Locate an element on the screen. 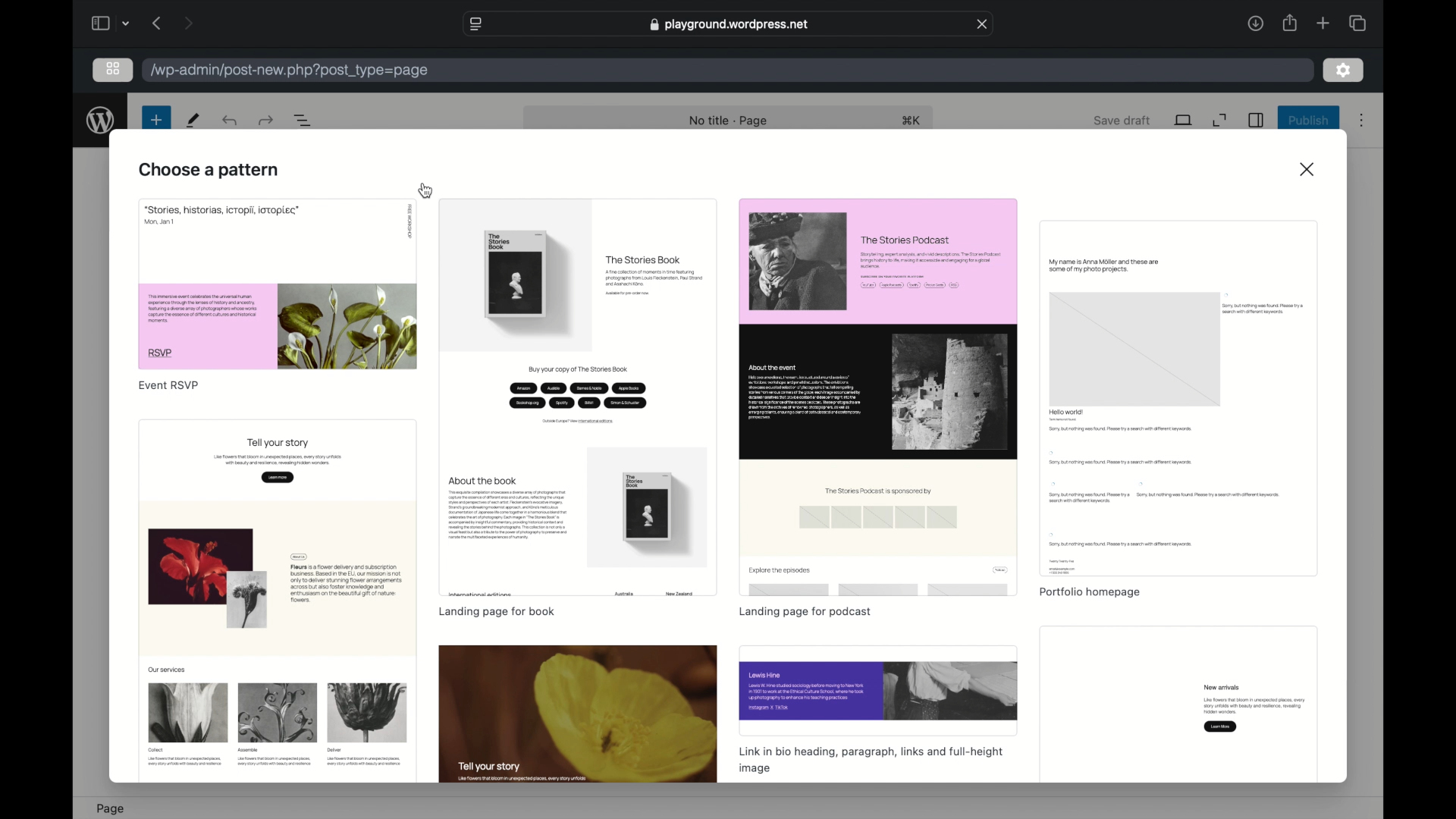 The image size is (1456, 819). close is located at coordinates (983, 24).